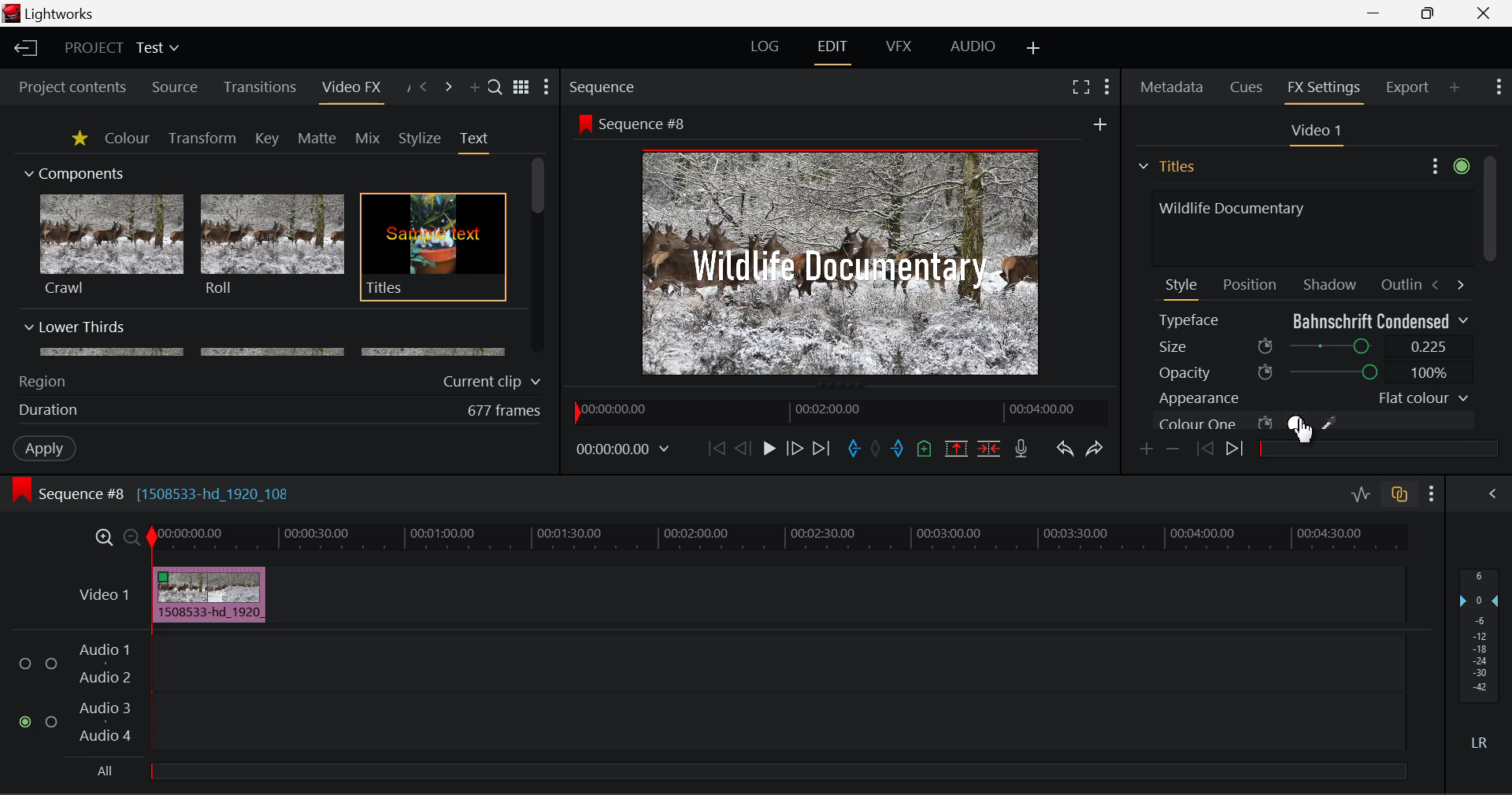 The image size is (1512, 795). What do you see at coordinates (269, 139) in the screenshot?
I see `Key` at bounding box center [269, 139].